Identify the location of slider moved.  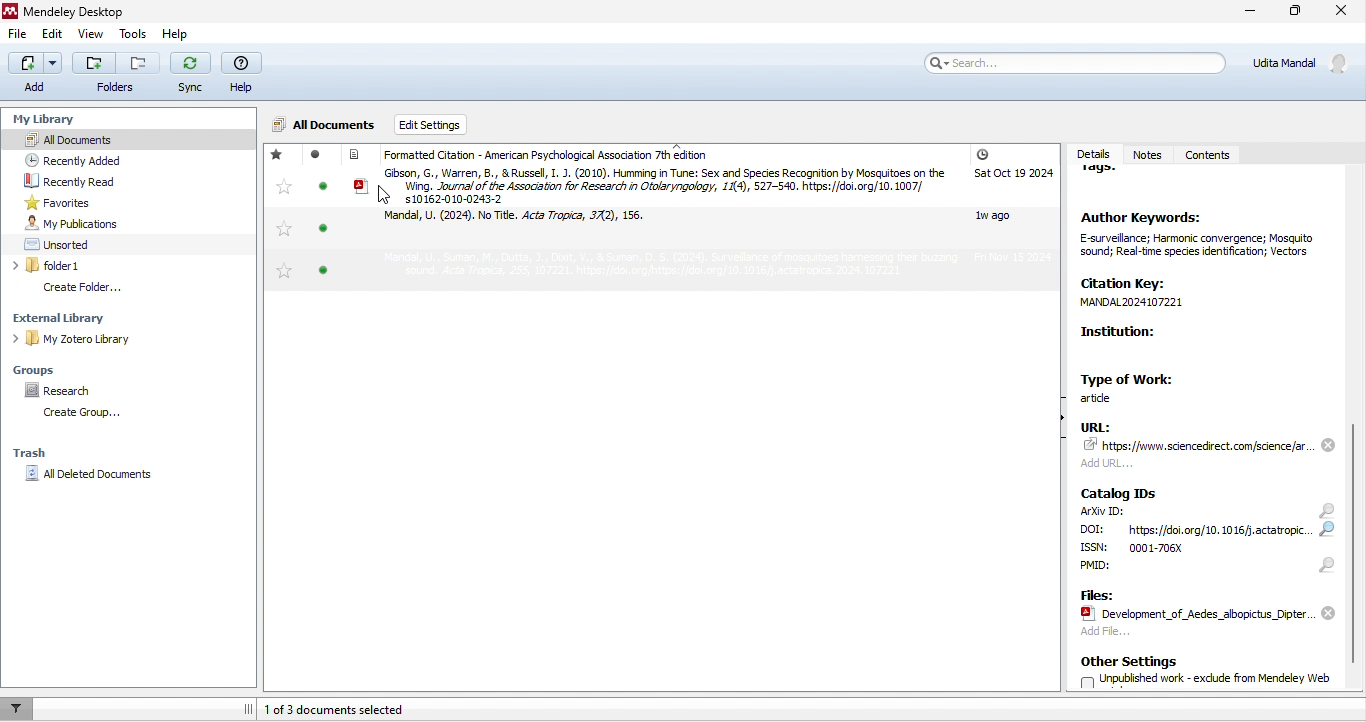
(1357, 548).